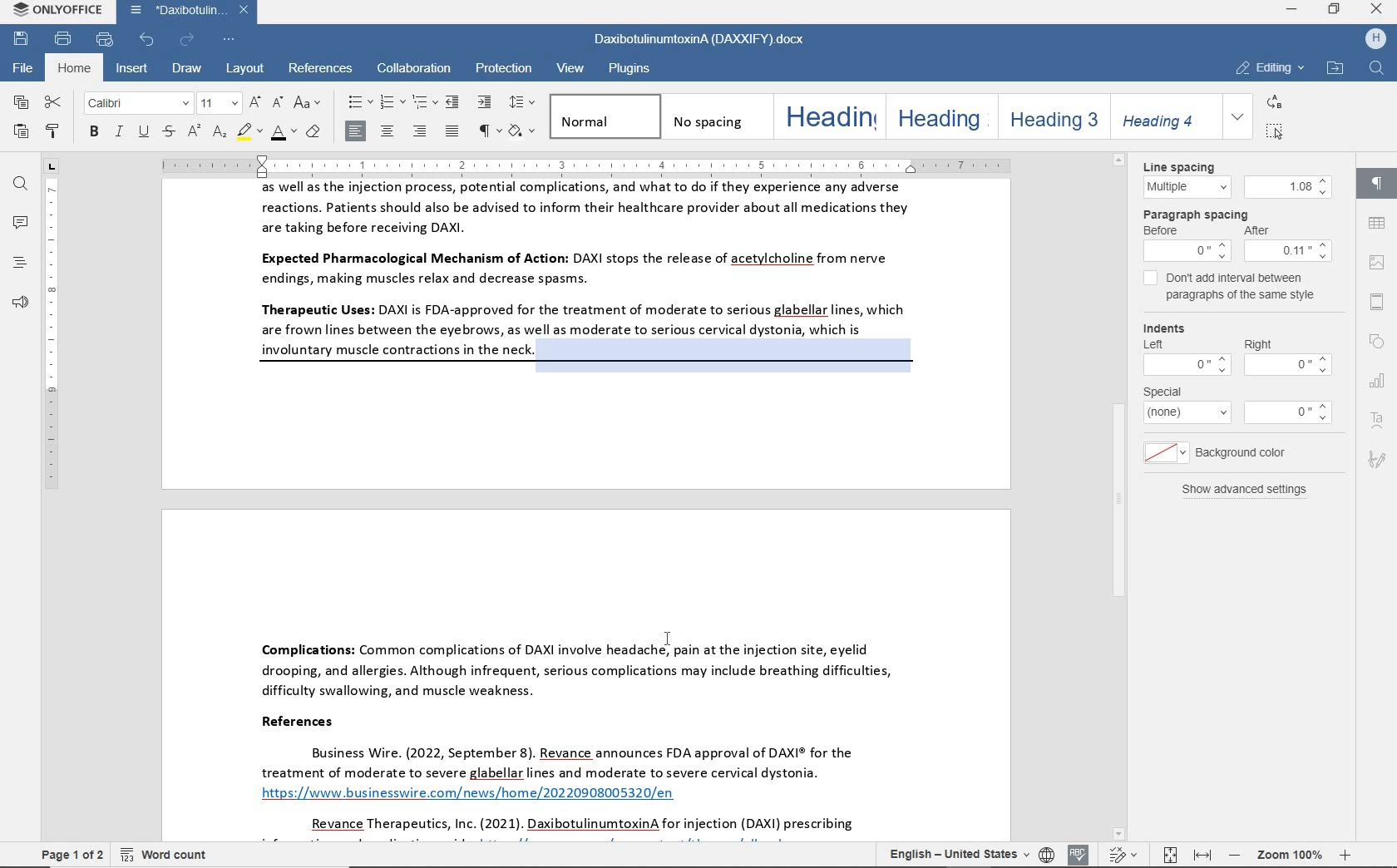 The height and width of the screenshot is (868, 1397). I want to click on shape, so click(1380, 343).